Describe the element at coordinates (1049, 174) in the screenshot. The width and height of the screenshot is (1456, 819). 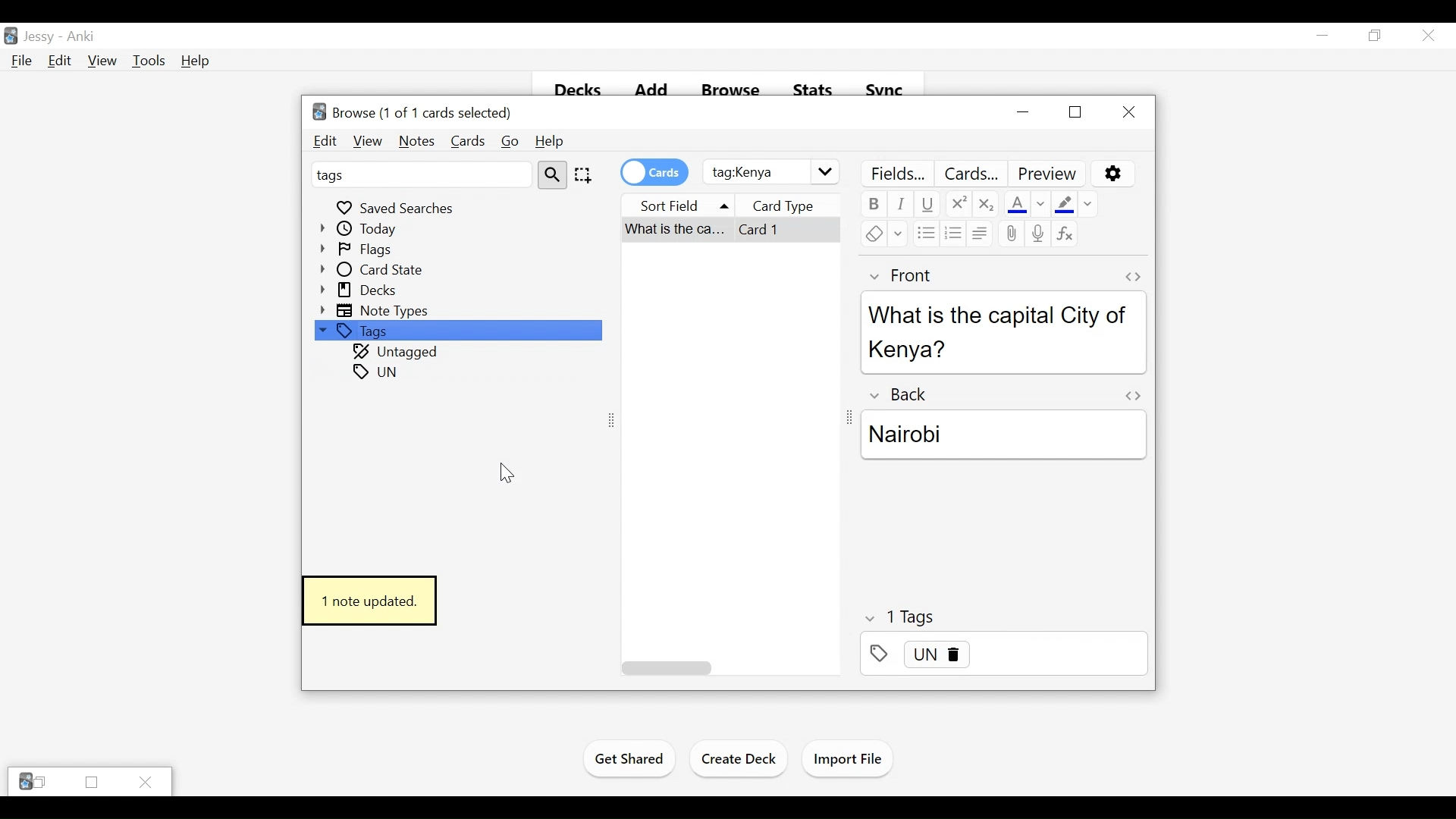
I see `Preview Selected Card` at that location.